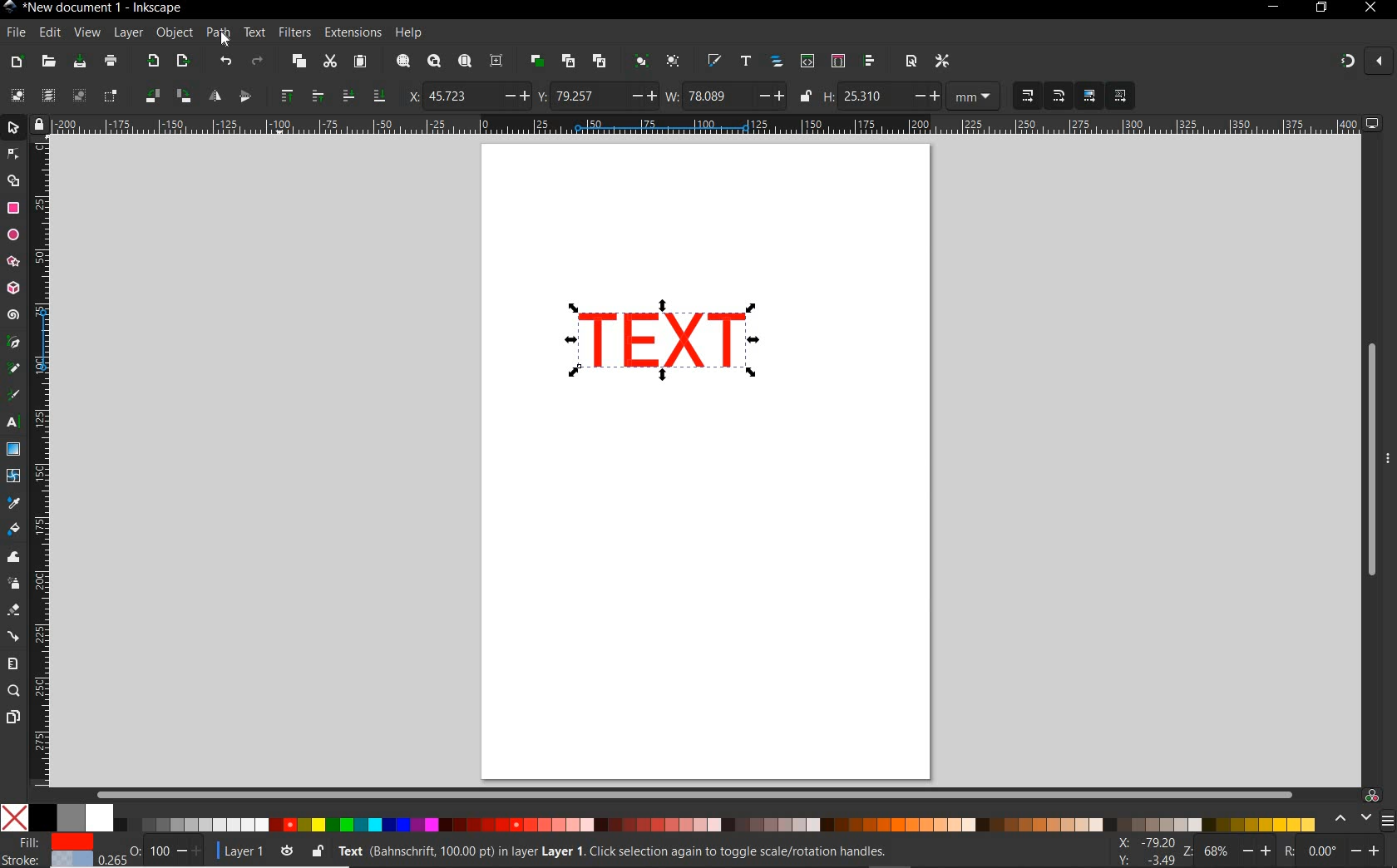 This screenshot has height=868, width=1397. What do you see at coordinates (692, 792) in the screenshot?
I see `SCROLLBAR` at bounding box center [692, 792].